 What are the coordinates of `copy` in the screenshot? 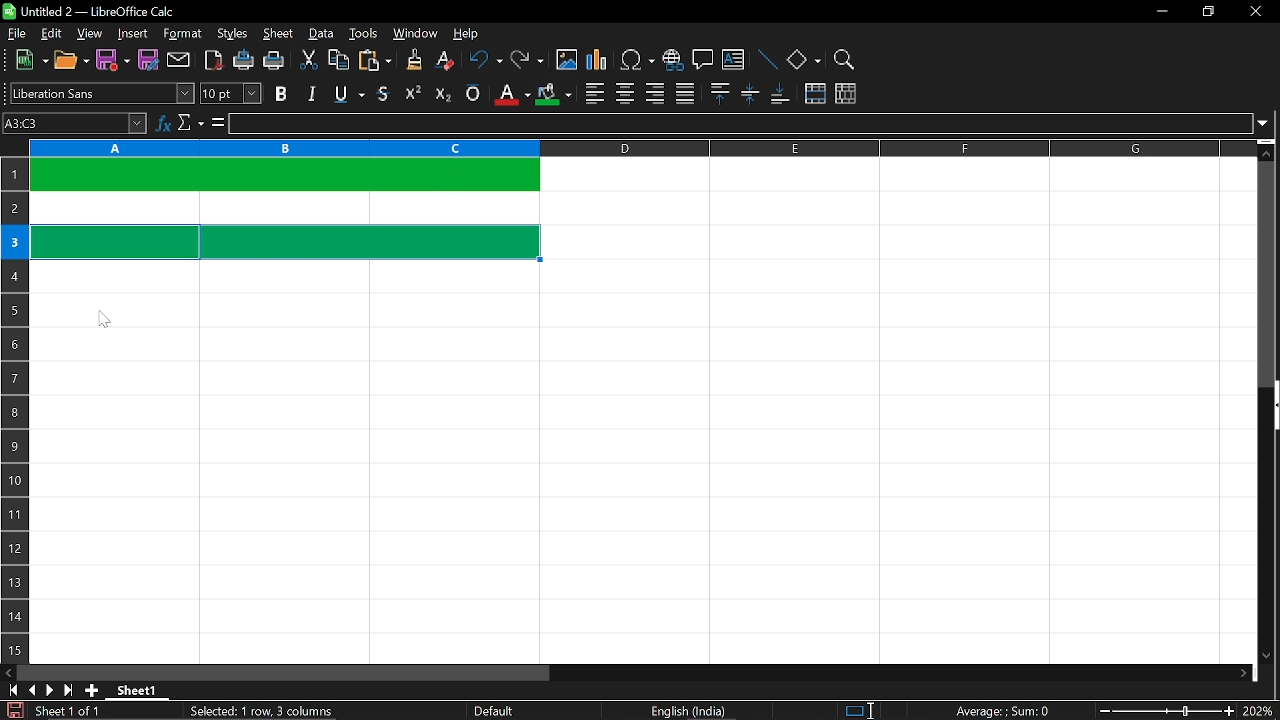 It's located at (339, 60).